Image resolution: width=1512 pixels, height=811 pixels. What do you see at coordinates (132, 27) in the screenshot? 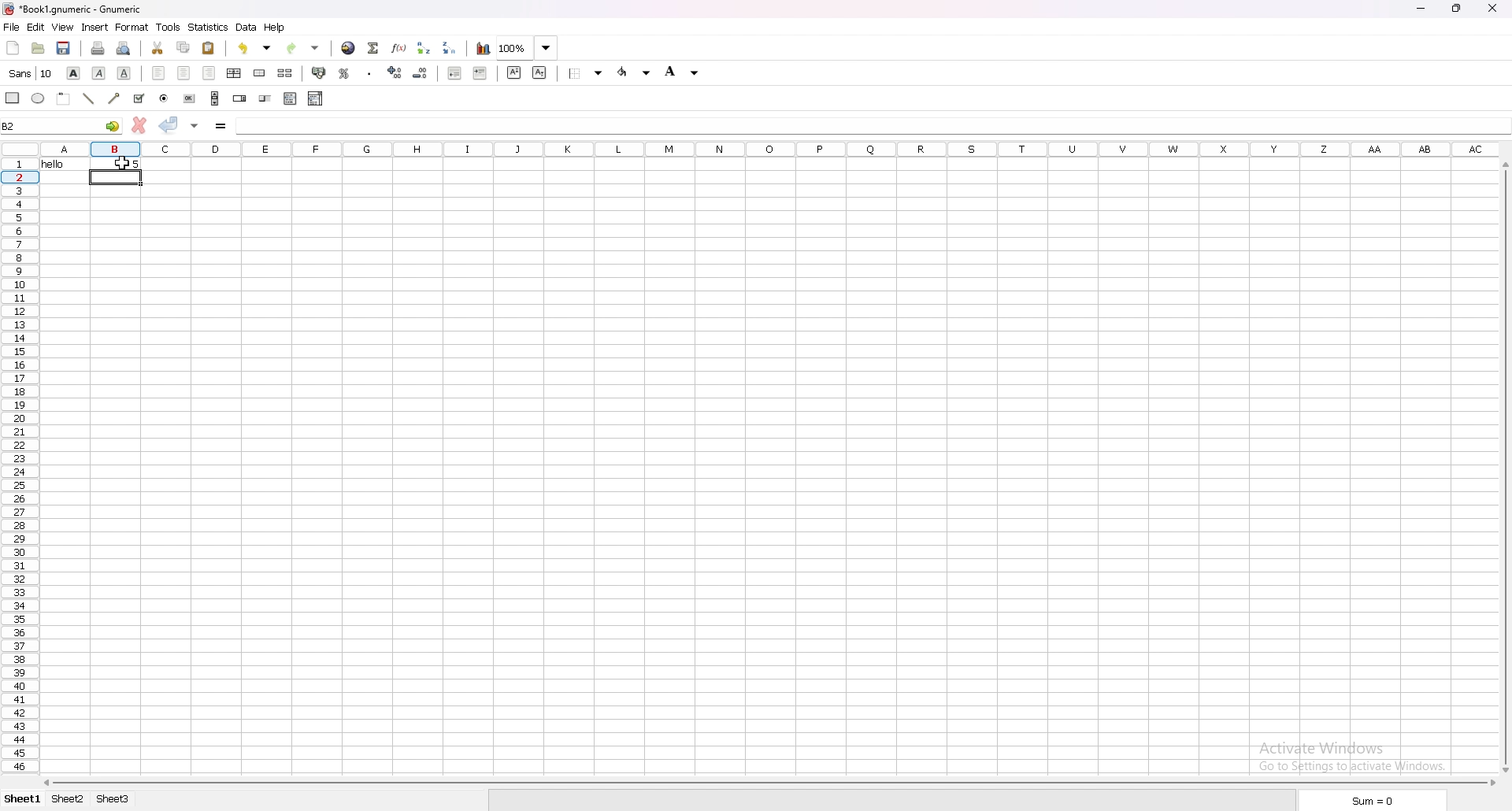
I see `format` at bounding box center [132, 27].